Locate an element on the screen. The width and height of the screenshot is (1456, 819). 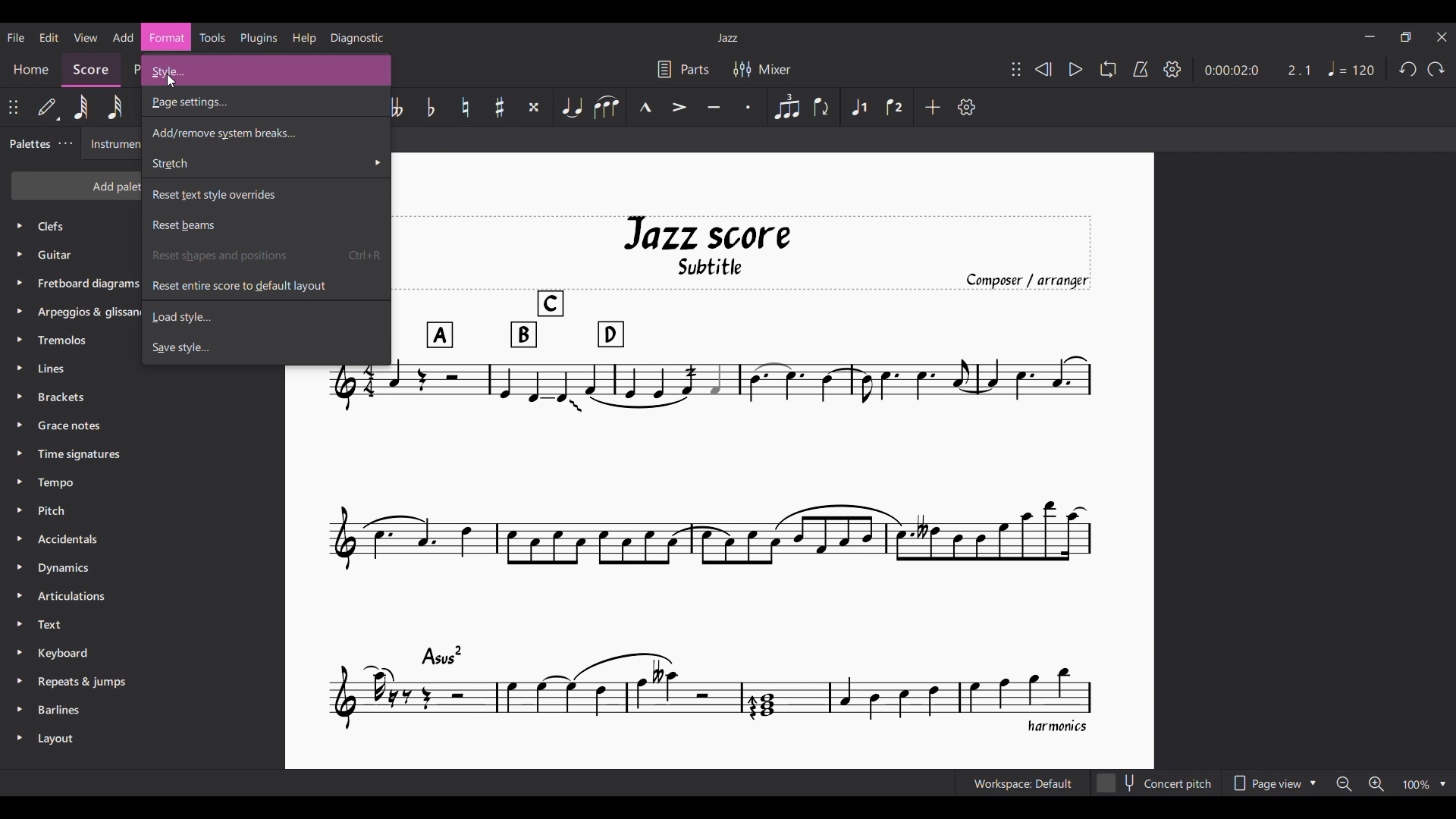
Pitch is located at coordinates (55, 510).